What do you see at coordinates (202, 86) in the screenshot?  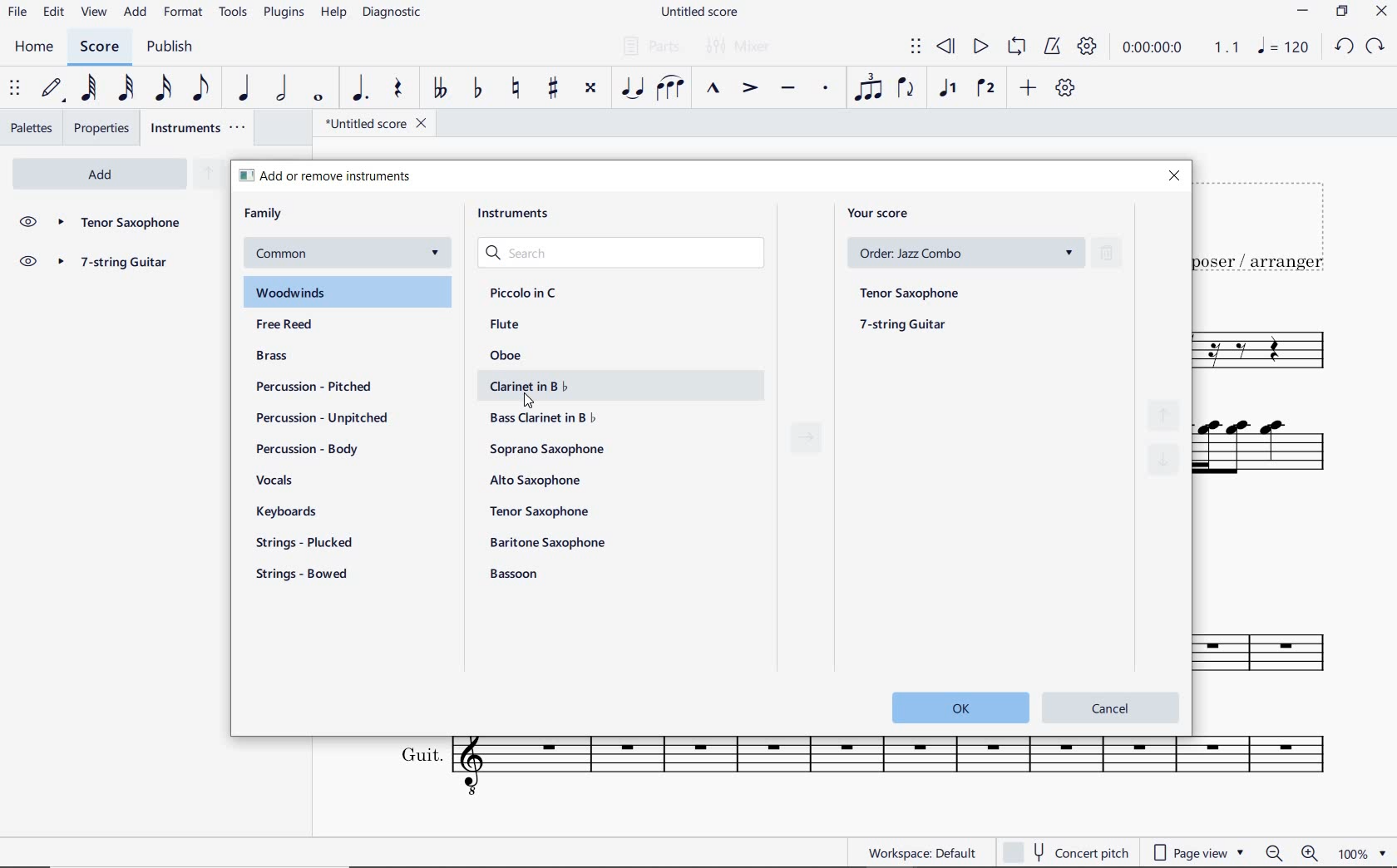 I see `EIGHTH NOTE` at bounding box center [202, 86].